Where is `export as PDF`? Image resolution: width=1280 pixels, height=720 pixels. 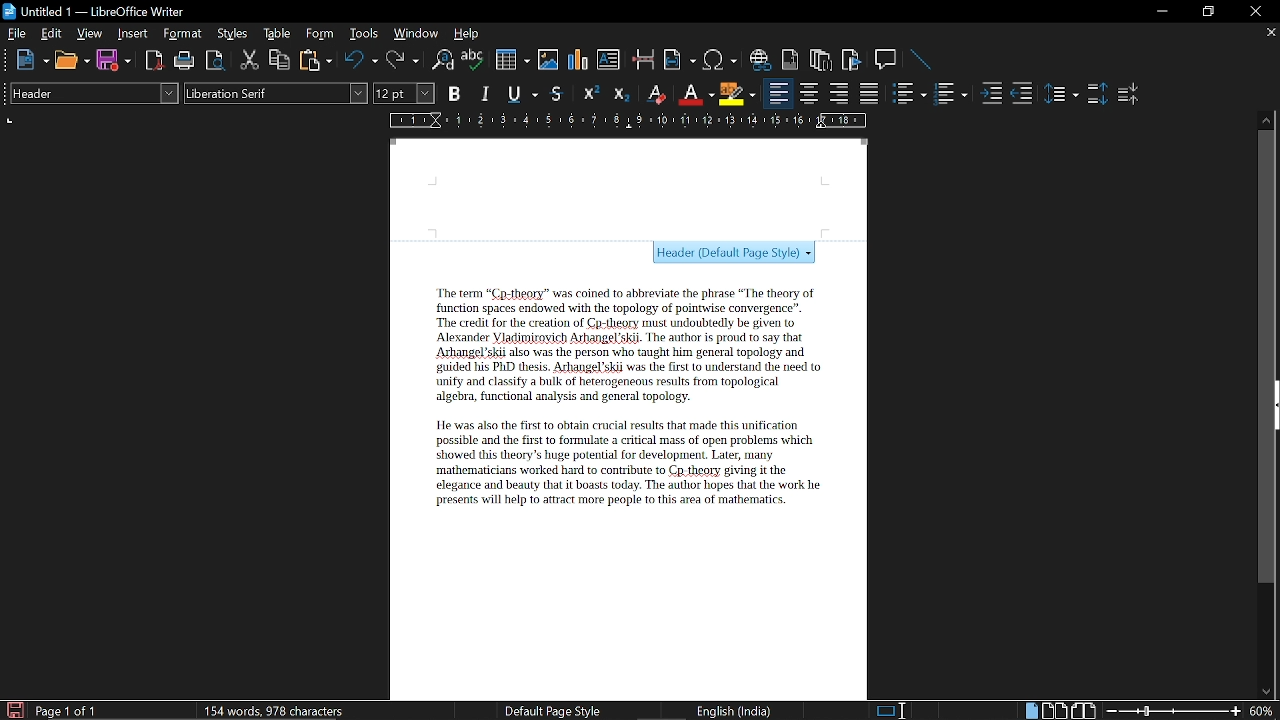 export as PDF is located at coordinates (155, 62).